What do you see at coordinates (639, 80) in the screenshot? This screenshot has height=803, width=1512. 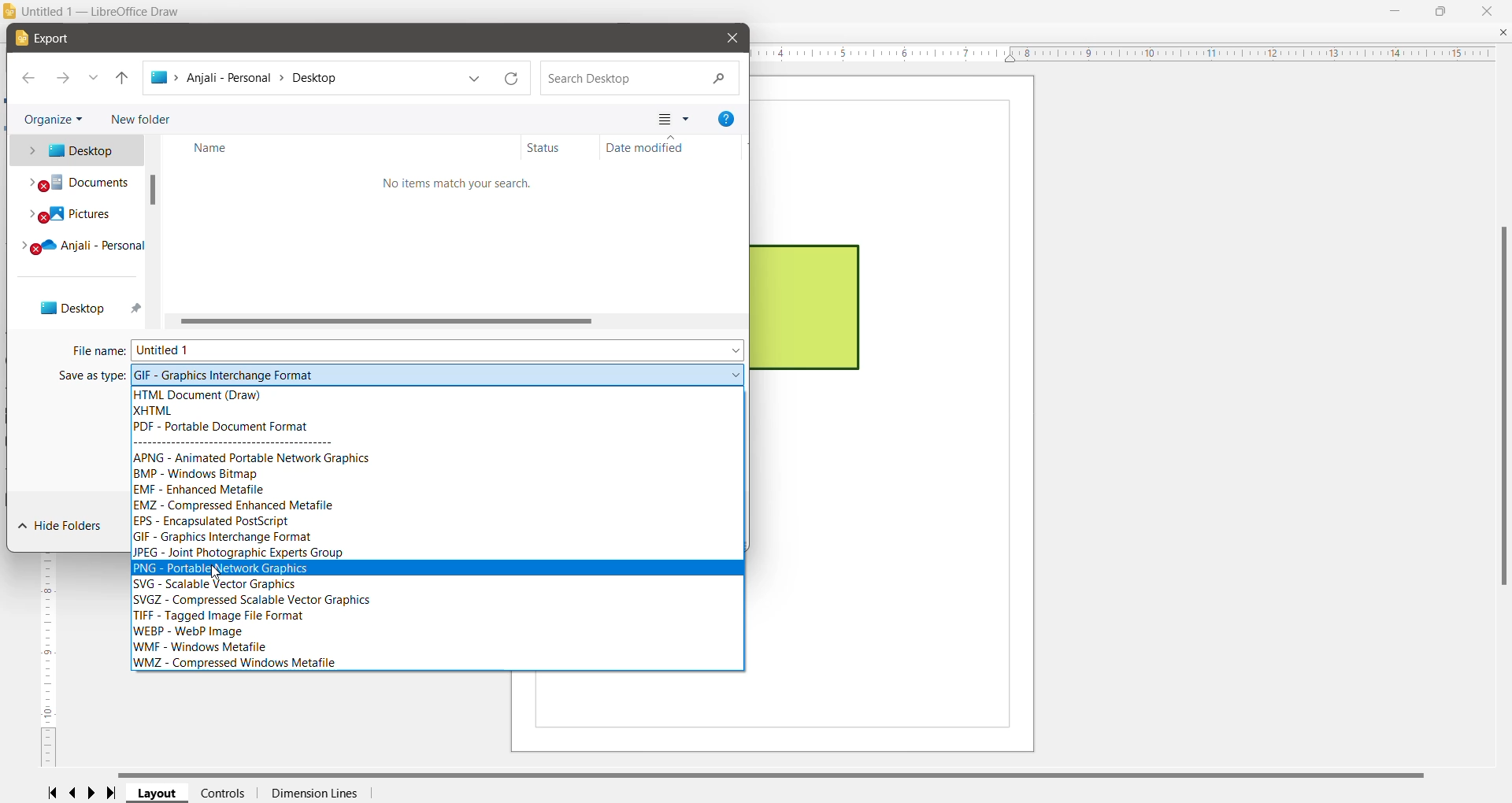 I see `Search Current Location` at bounding box center [639, 80].